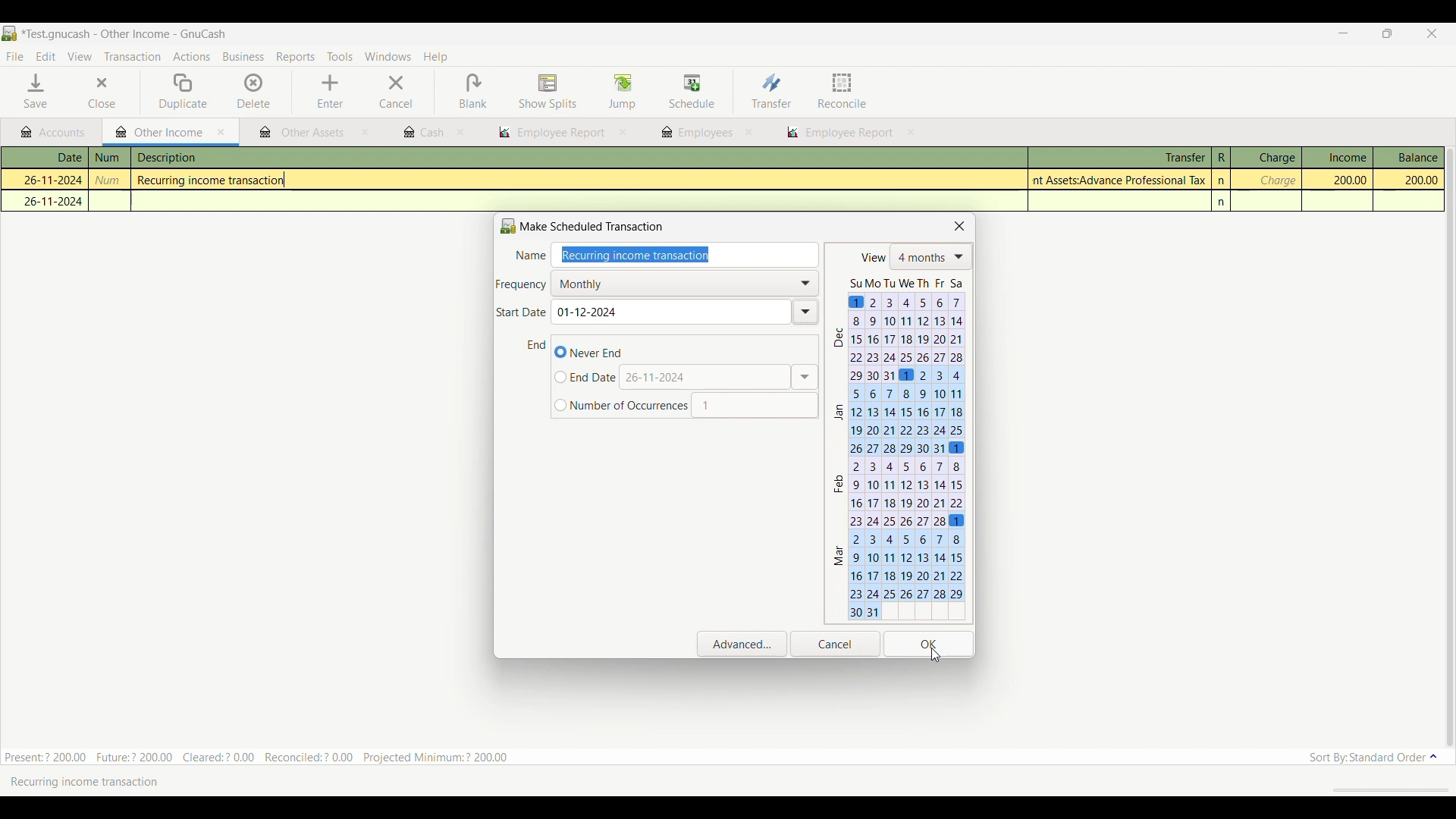  I want to click on Enter start date of transaction, so click(682, 312).